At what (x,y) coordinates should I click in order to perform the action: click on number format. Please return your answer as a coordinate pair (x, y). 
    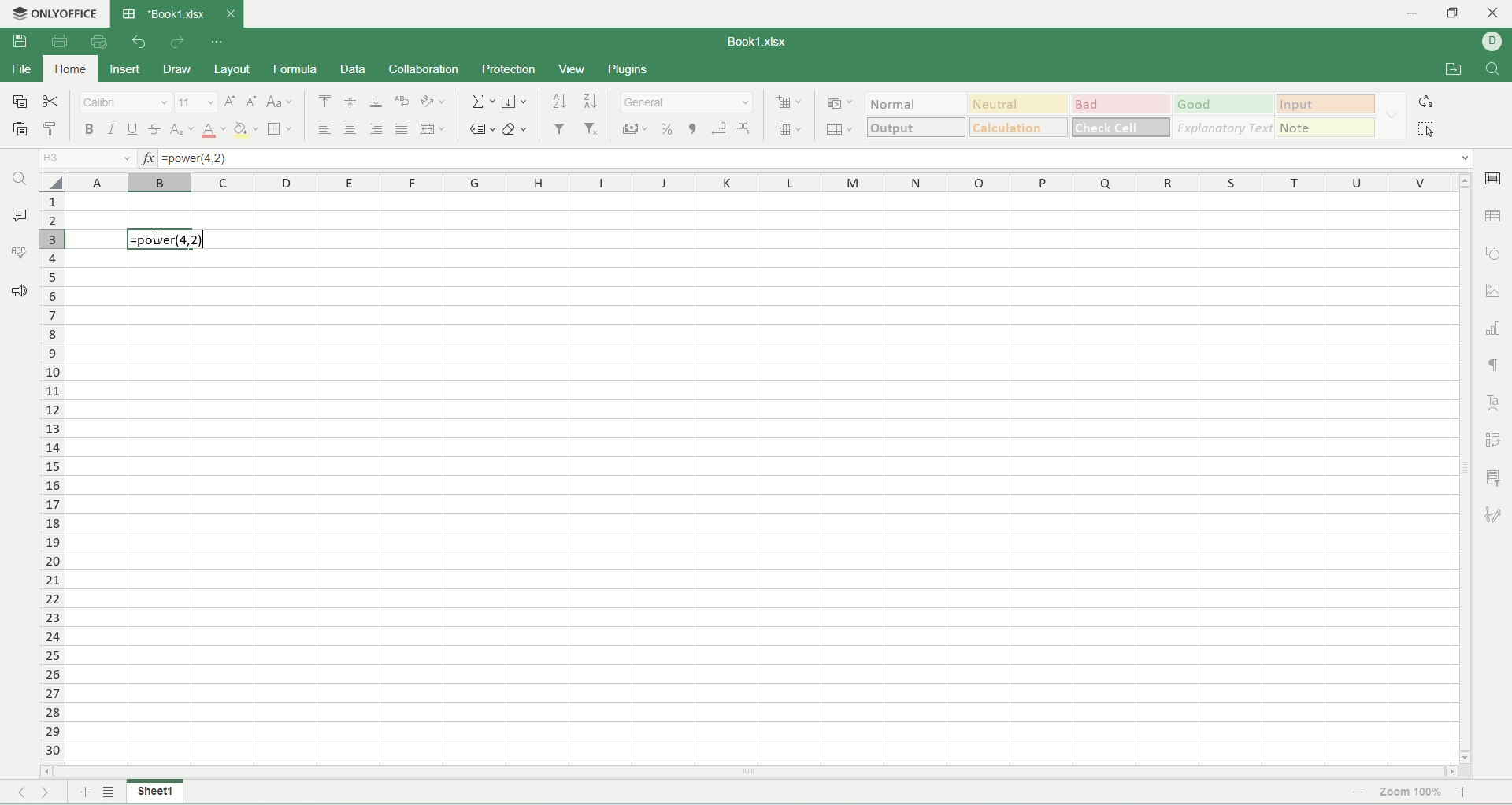
    Looking at the image, I should click on (689, 101).